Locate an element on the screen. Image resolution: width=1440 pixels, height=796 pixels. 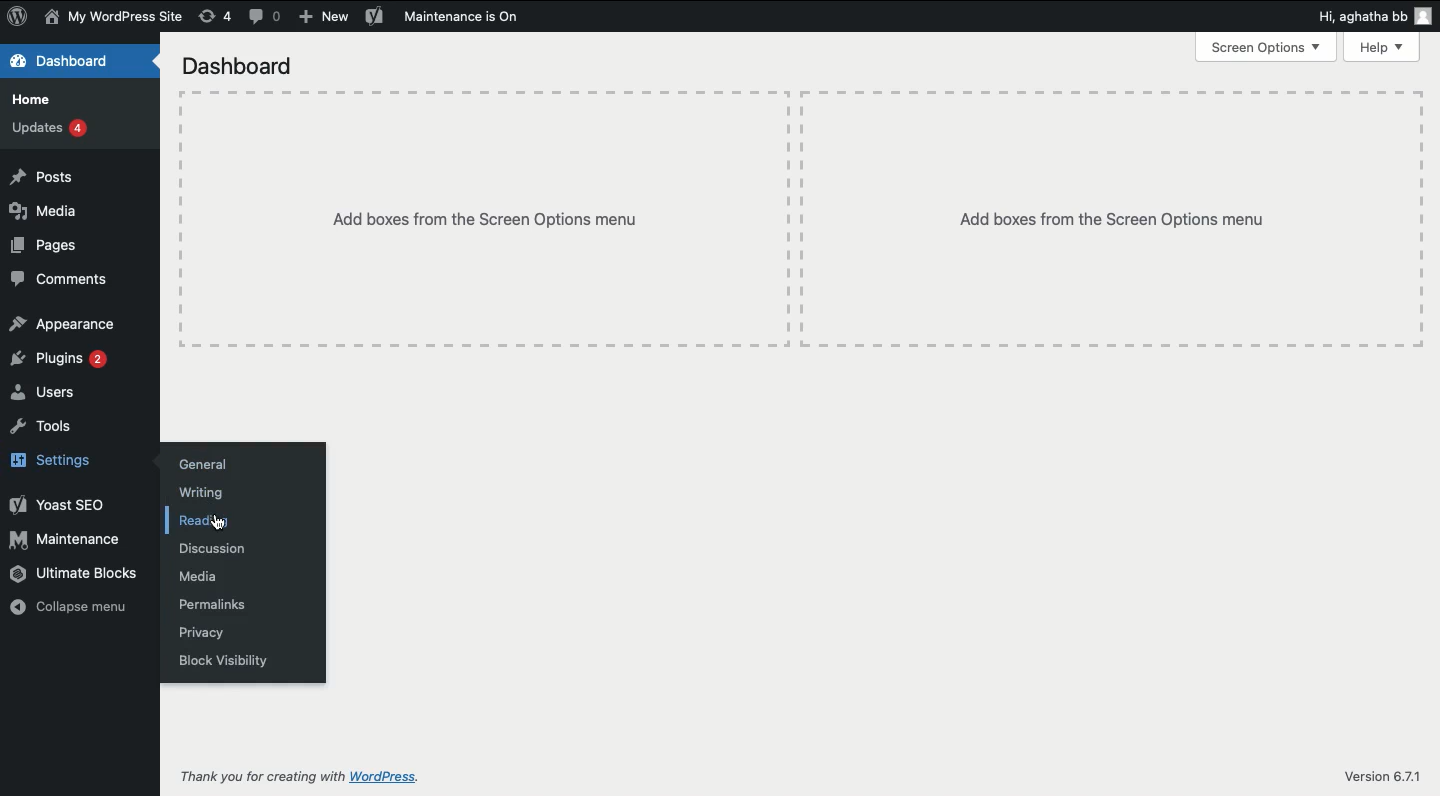
discussion is located at coordinates (212, 549).